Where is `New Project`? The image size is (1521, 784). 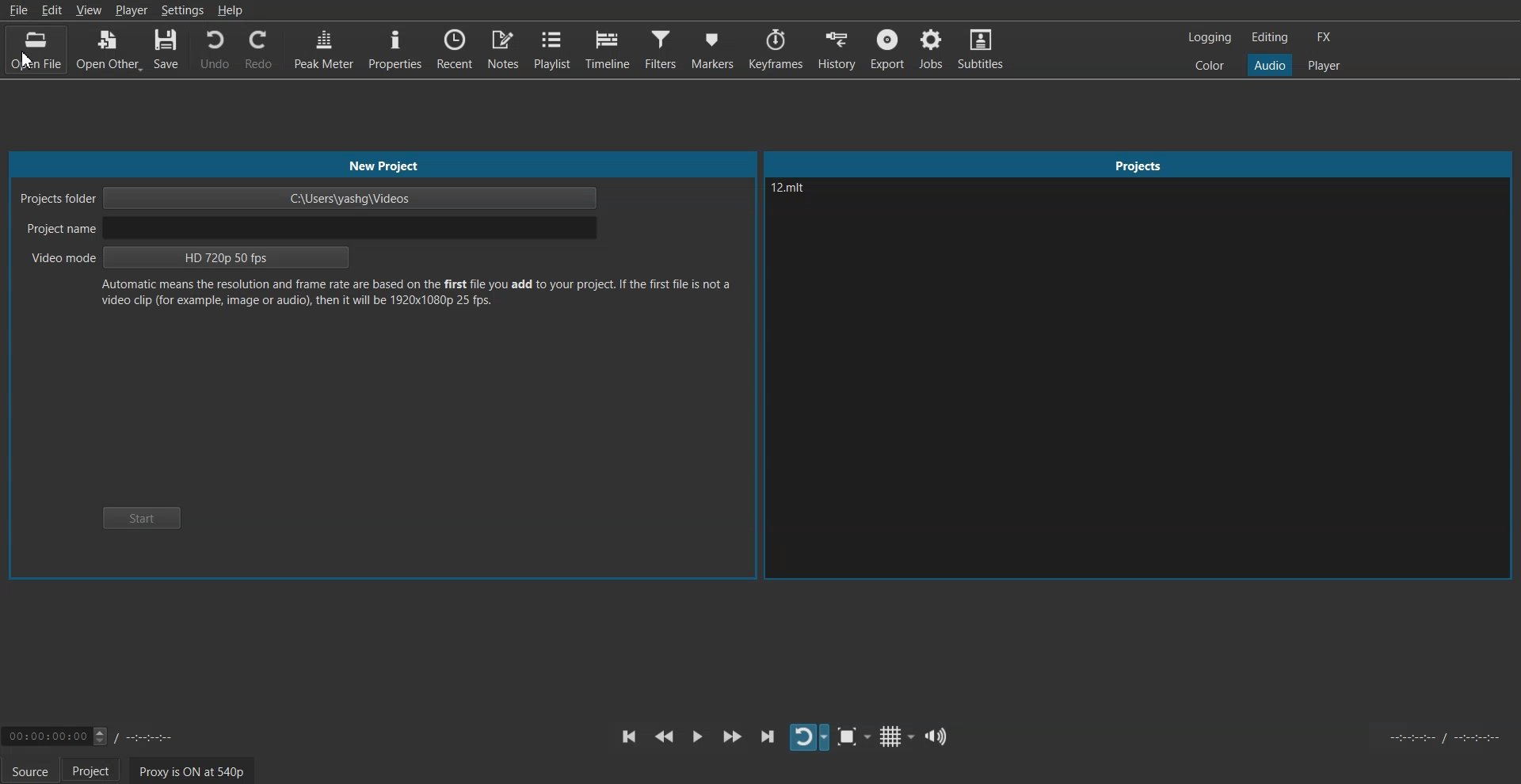 New Project is located at coordinates (382, 162).